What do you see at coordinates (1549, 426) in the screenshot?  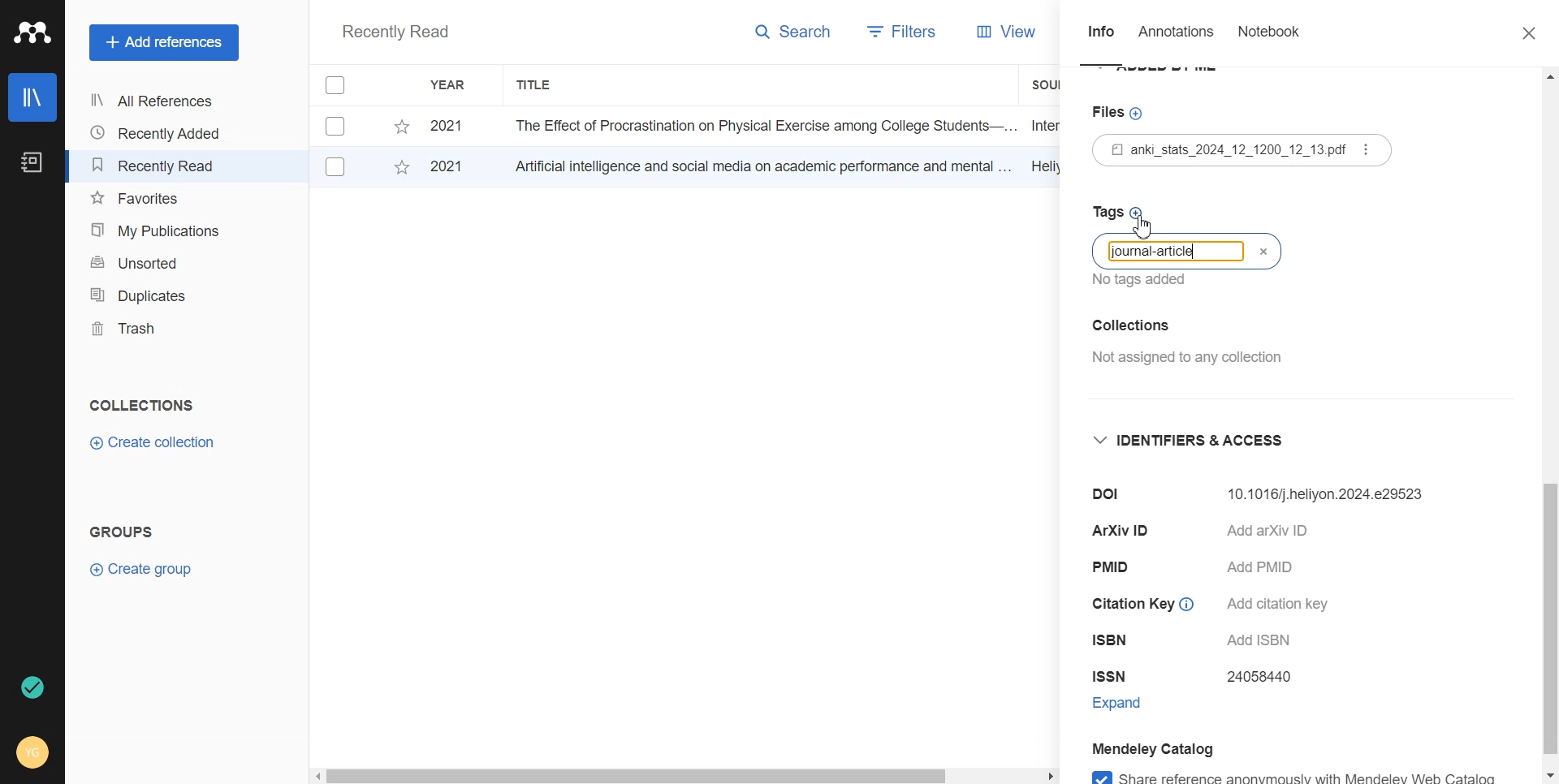 I see `Vertical scroll bar` at bounding box center [1549, 426].